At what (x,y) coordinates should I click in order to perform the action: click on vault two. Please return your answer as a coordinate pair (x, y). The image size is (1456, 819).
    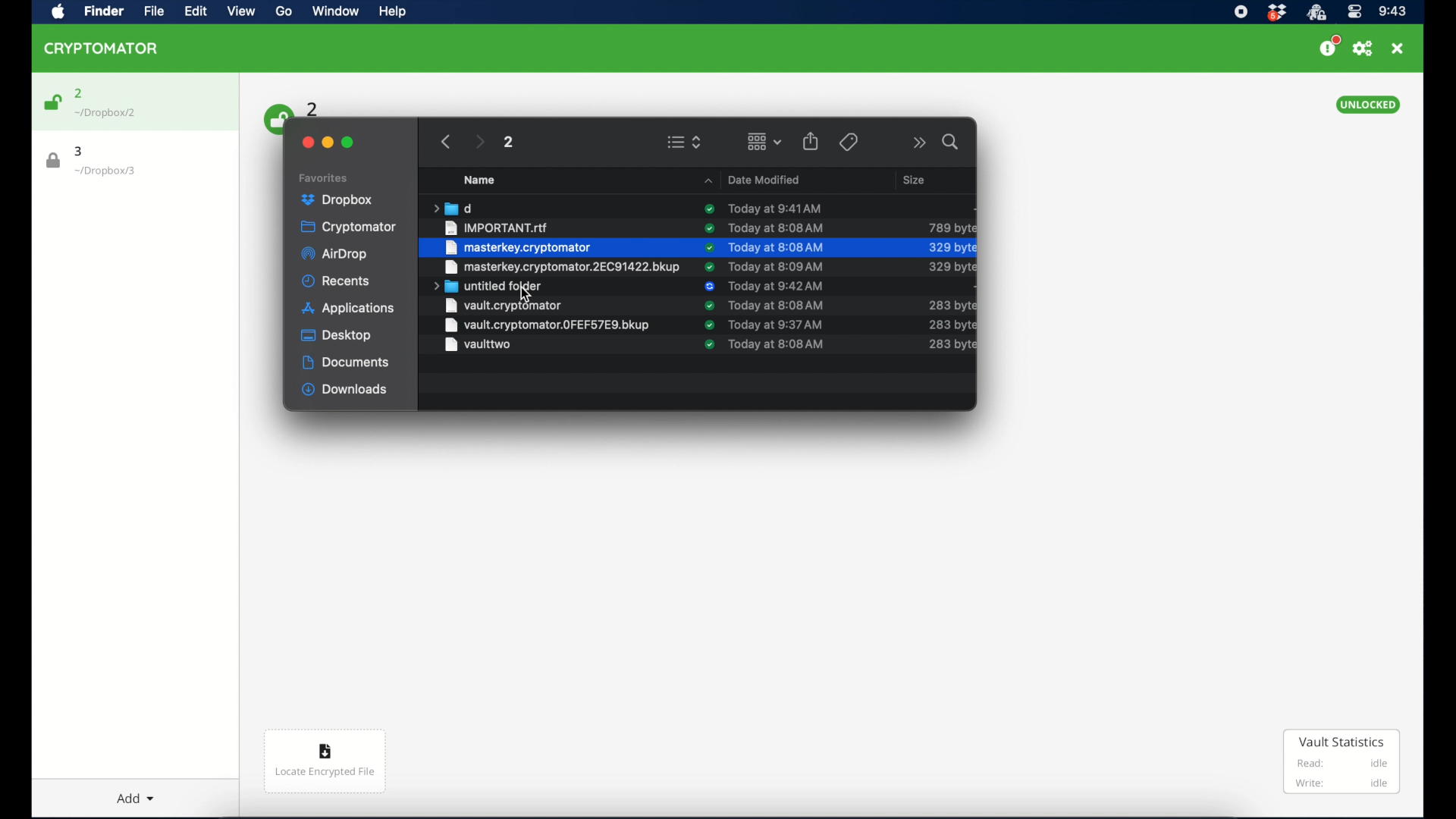
    Looking at the image, I should click on (548, 325).